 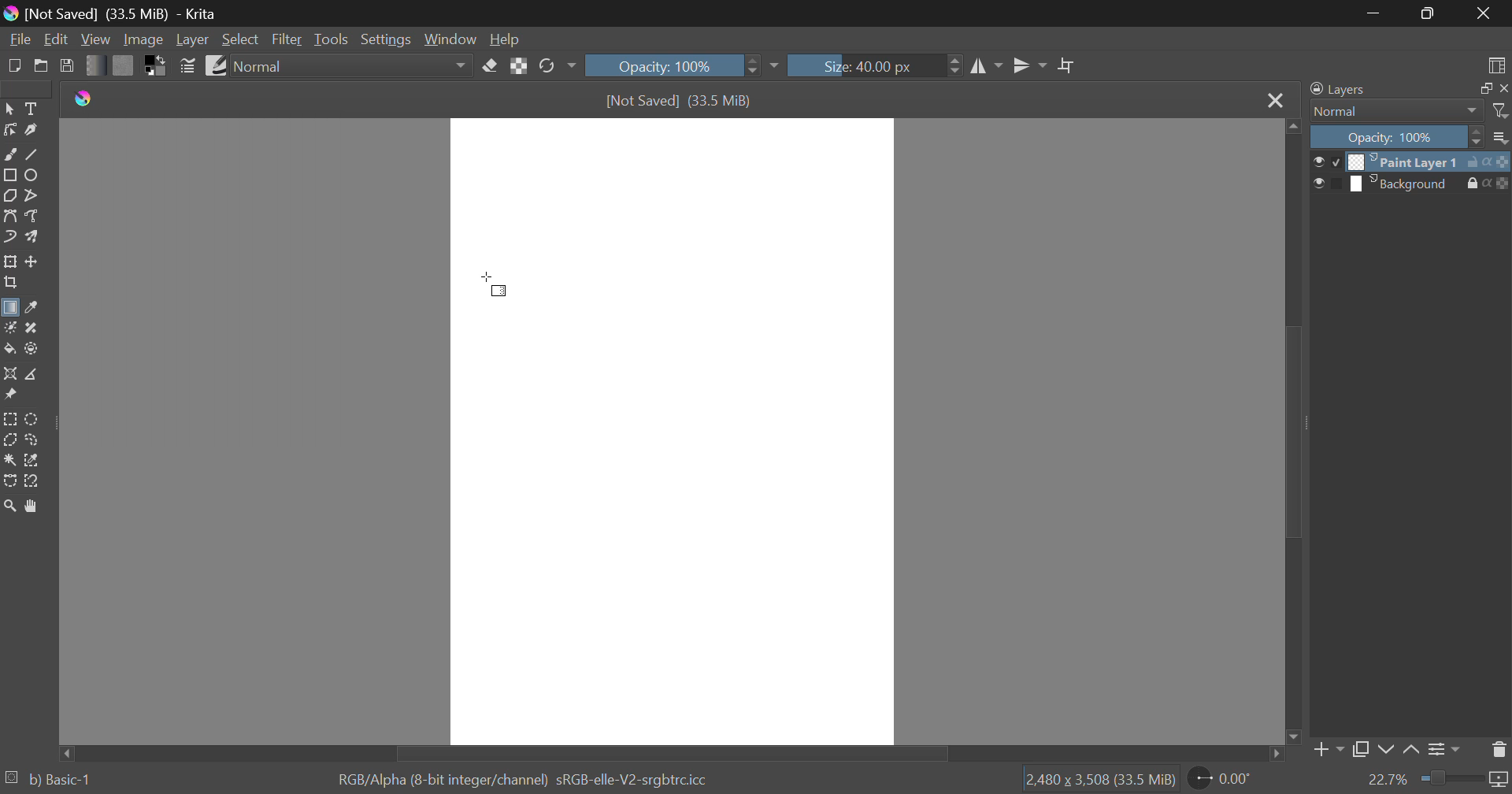 I want to click on Image, so click(x=142, y=39).